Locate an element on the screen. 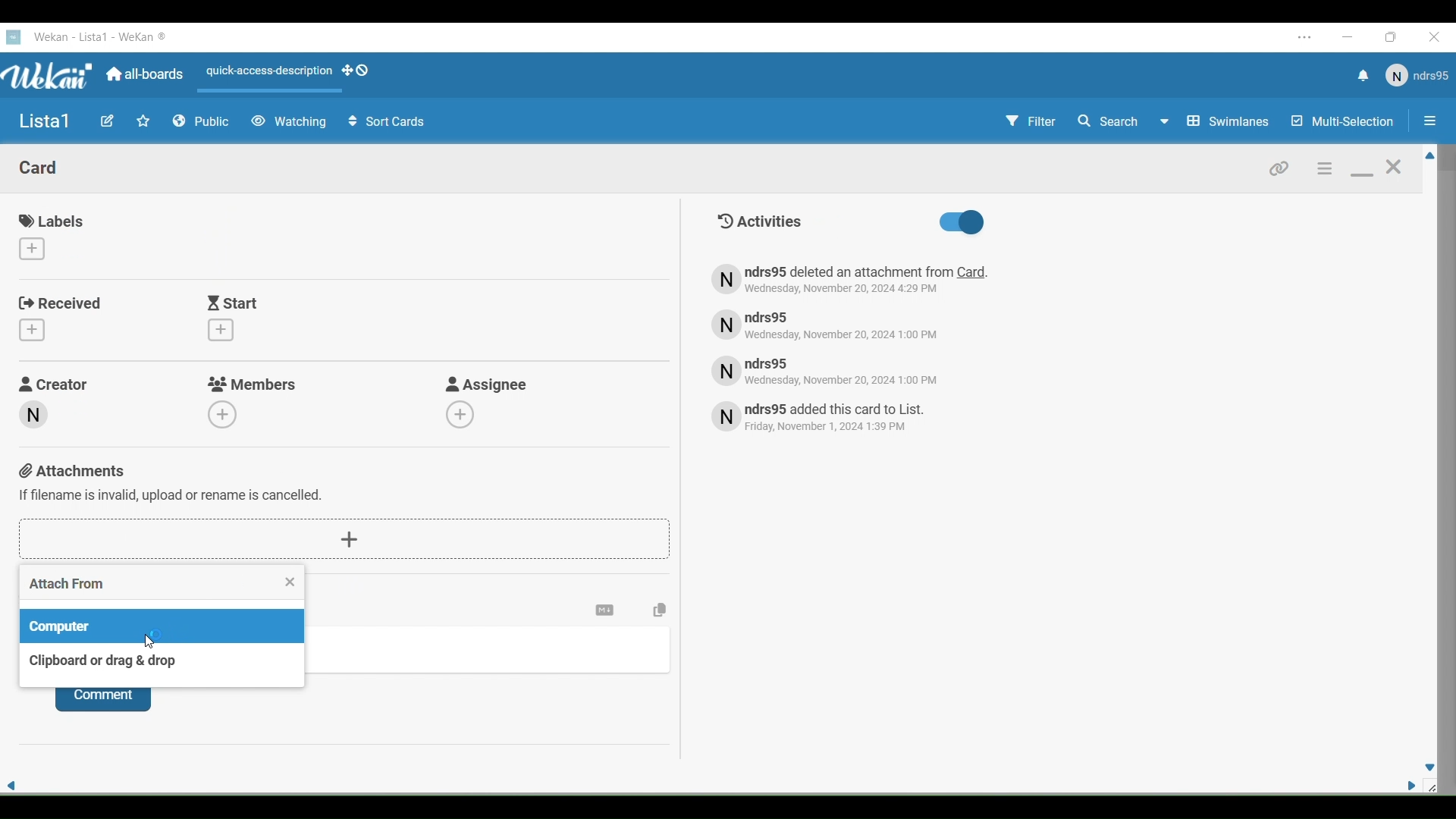 The width and height of the screenshot is (1456, 819). WeKan is located at coordinates (102, 36).